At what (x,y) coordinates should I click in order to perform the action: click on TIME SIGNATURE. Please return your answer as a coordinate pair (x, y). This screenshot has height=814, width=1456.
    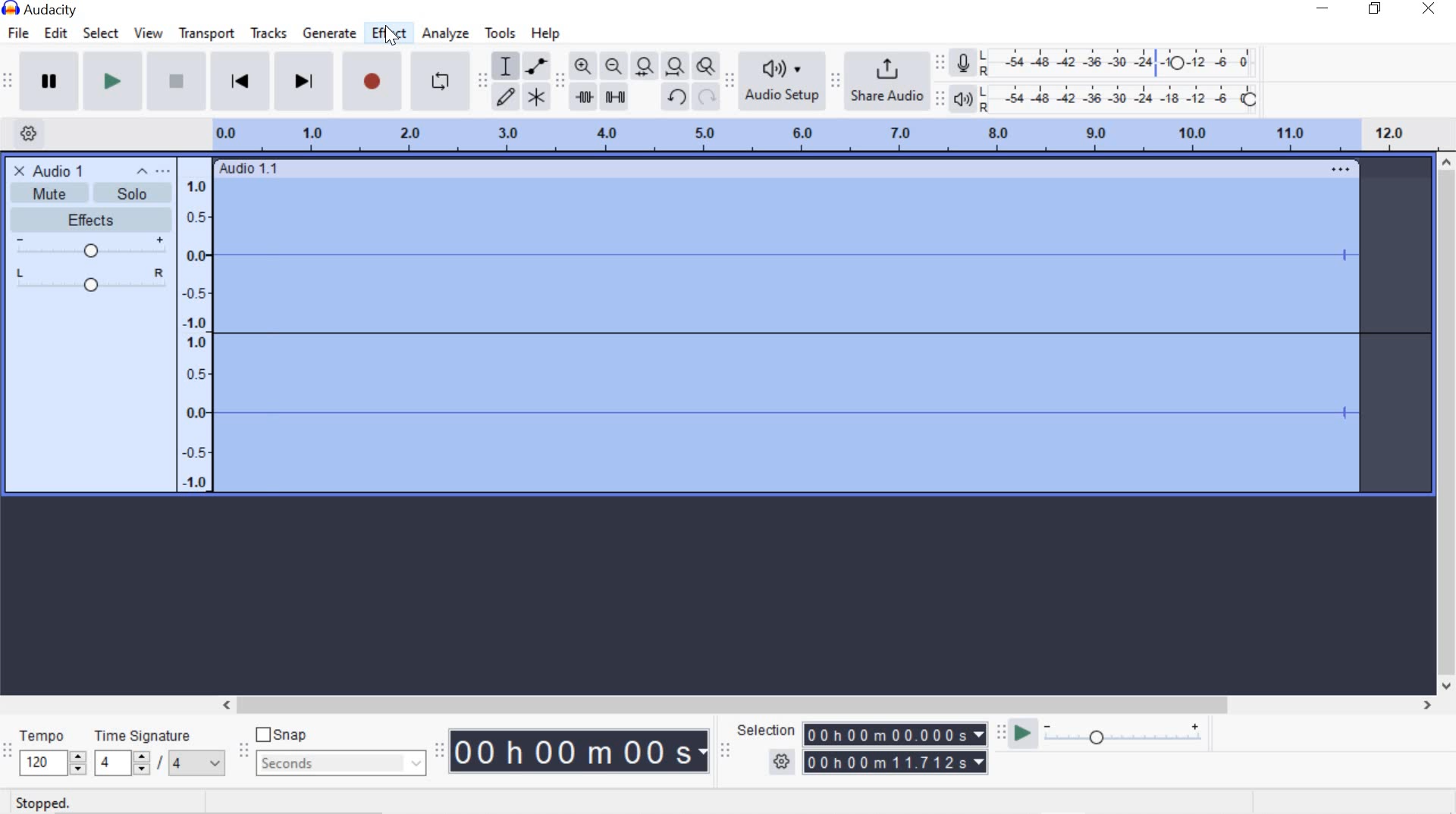
    Looking at the image, I should click on (158, 753).